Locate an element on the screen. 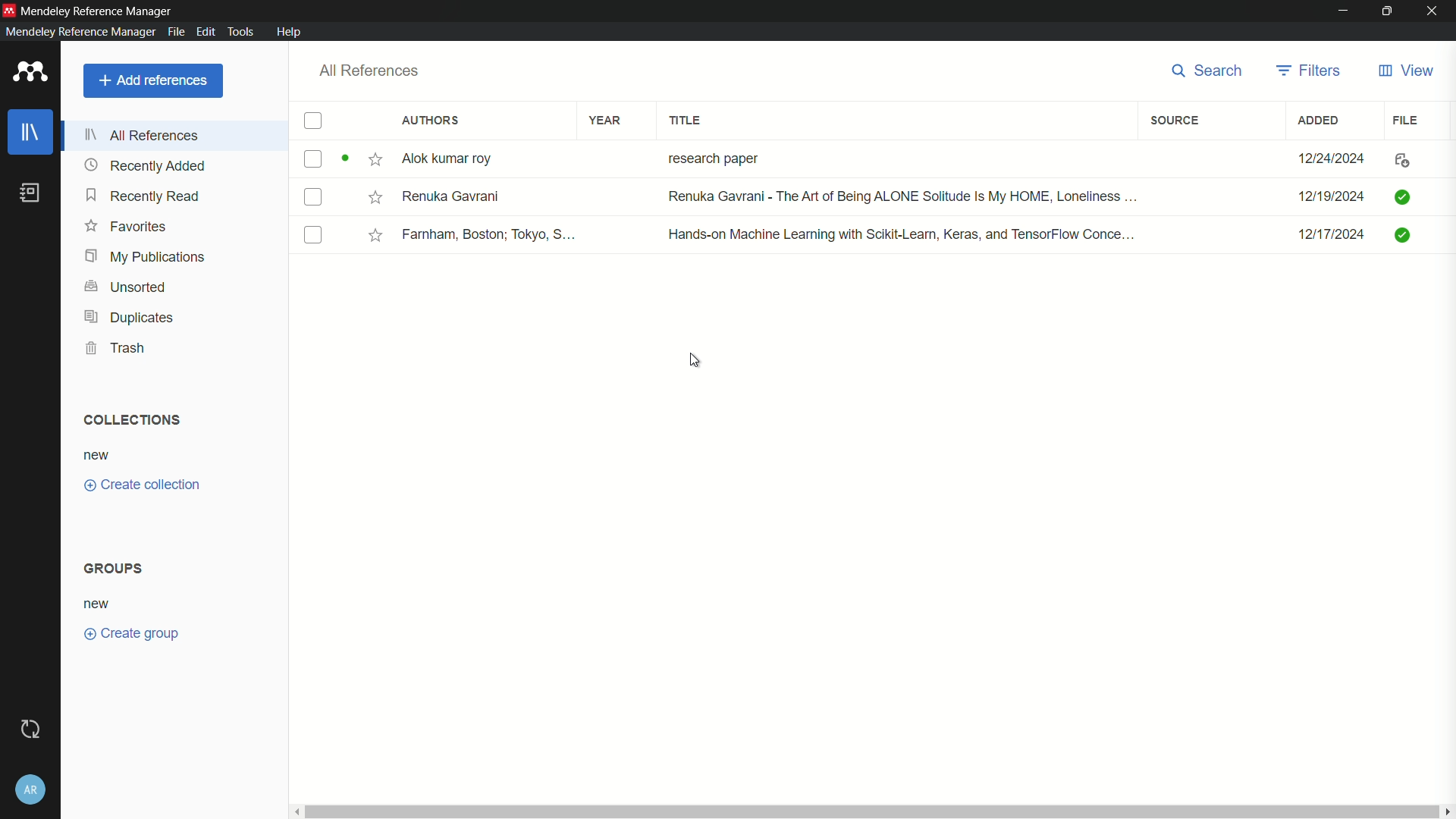 This screenshot has height=819, width=1456. all references is located at coordinates (145, 137).